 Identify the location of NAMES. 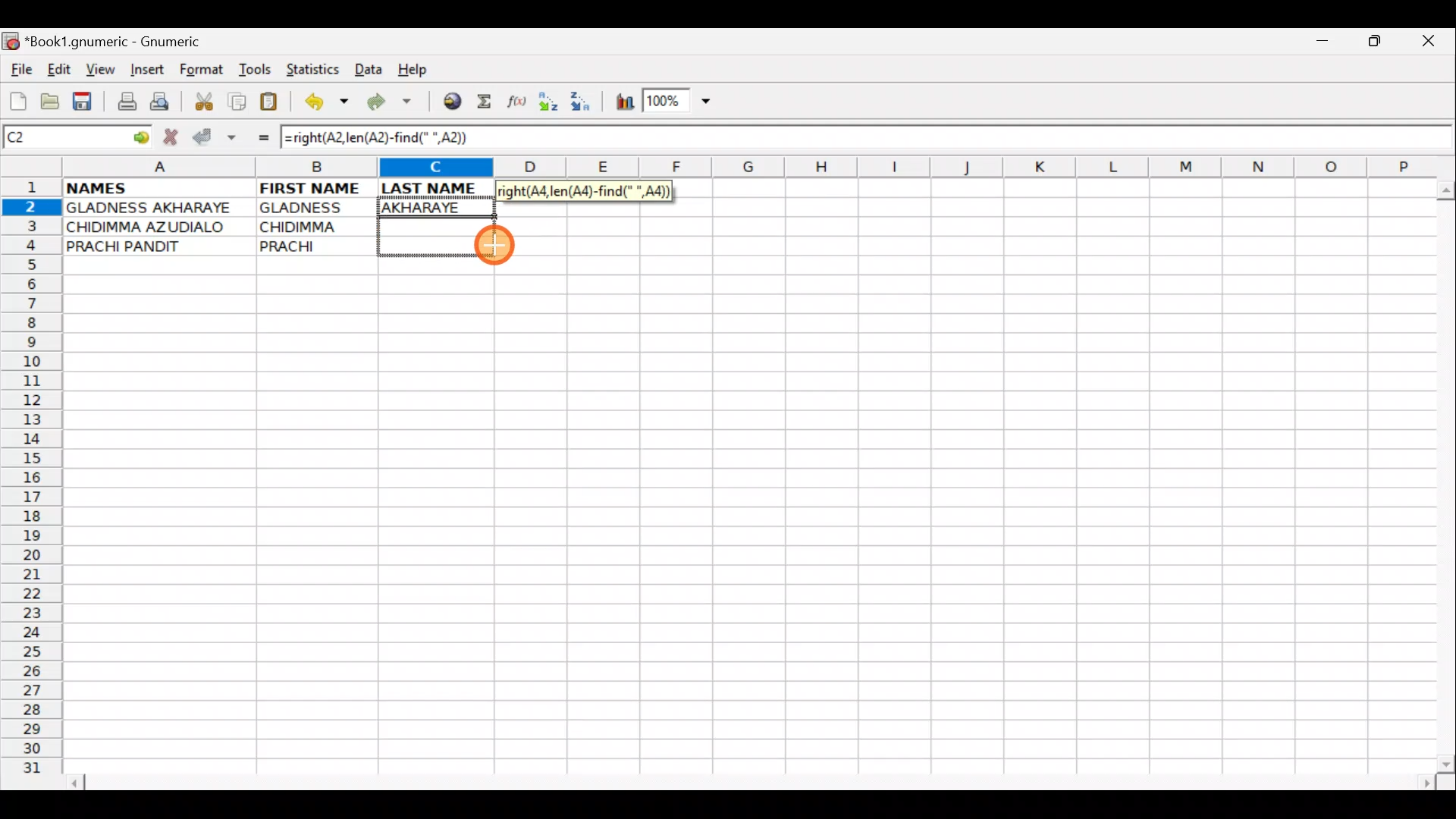
(142, 187).